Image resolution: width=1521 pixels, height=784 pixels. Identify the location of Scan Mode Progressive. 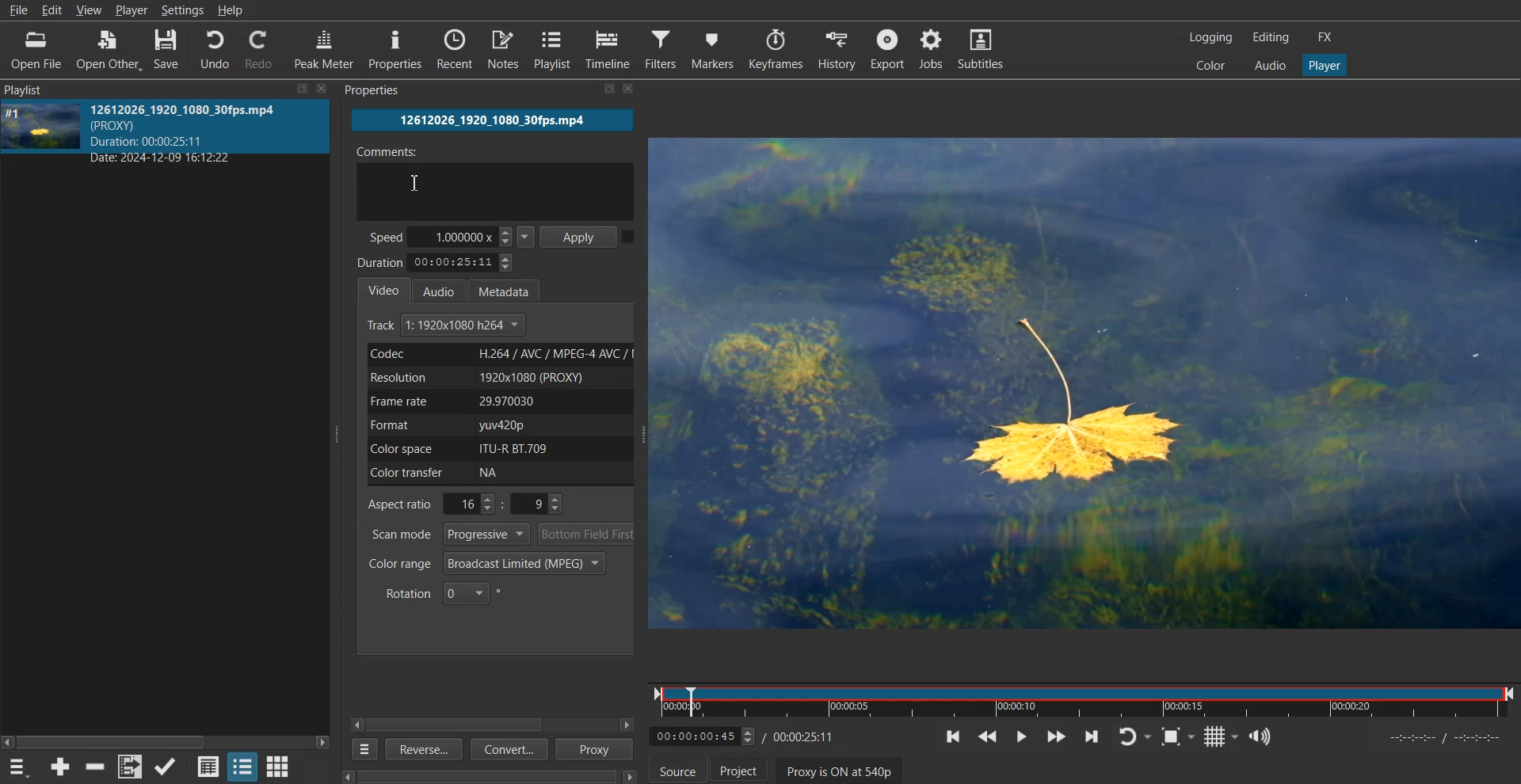
(448, 534).